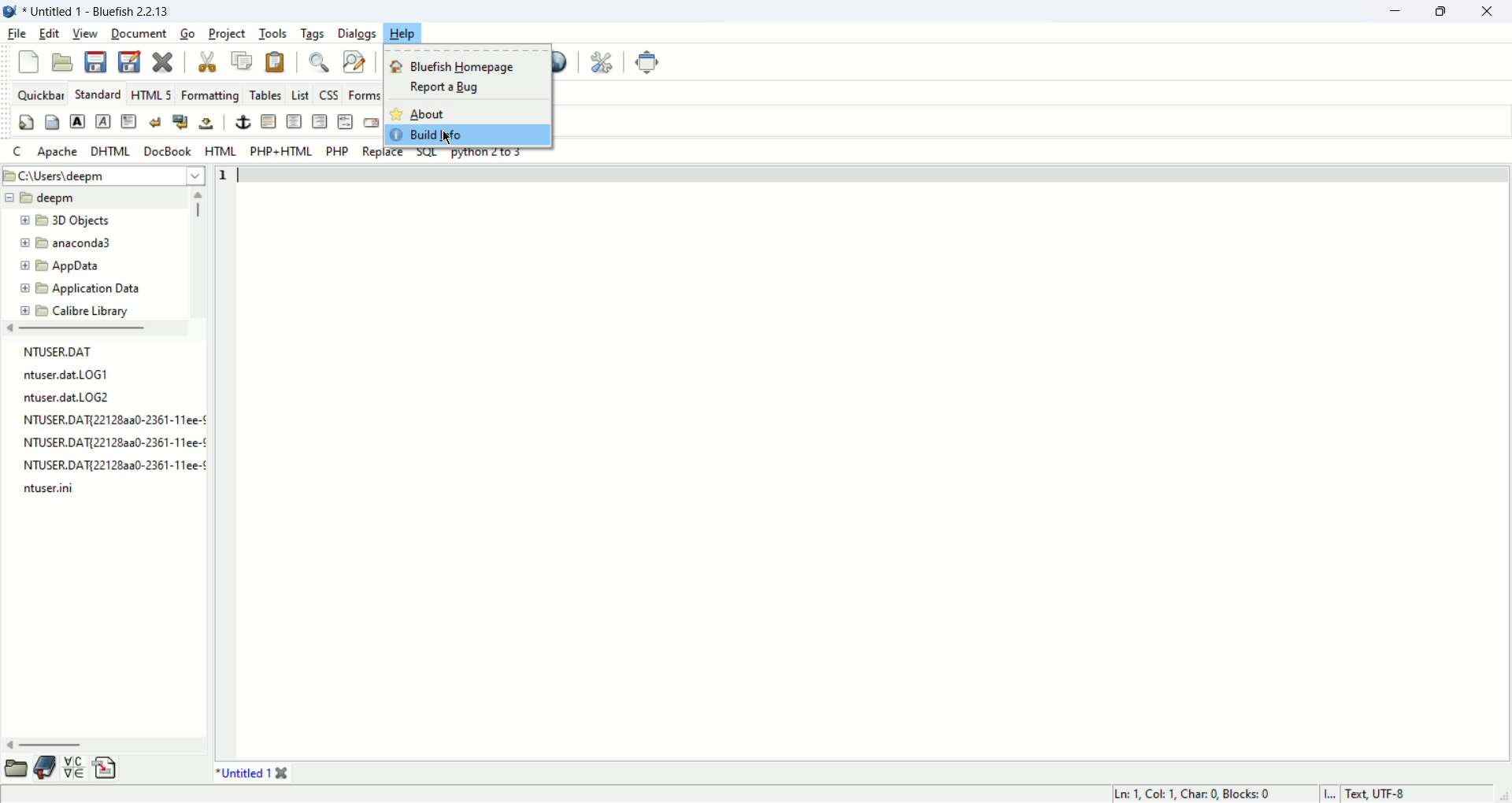 Image resolution: width=1512 pixels, height=803 pixels. What do you see at coordinates (15, 34) in the screenshot?
I see `file` at bounding box center [15, 34].